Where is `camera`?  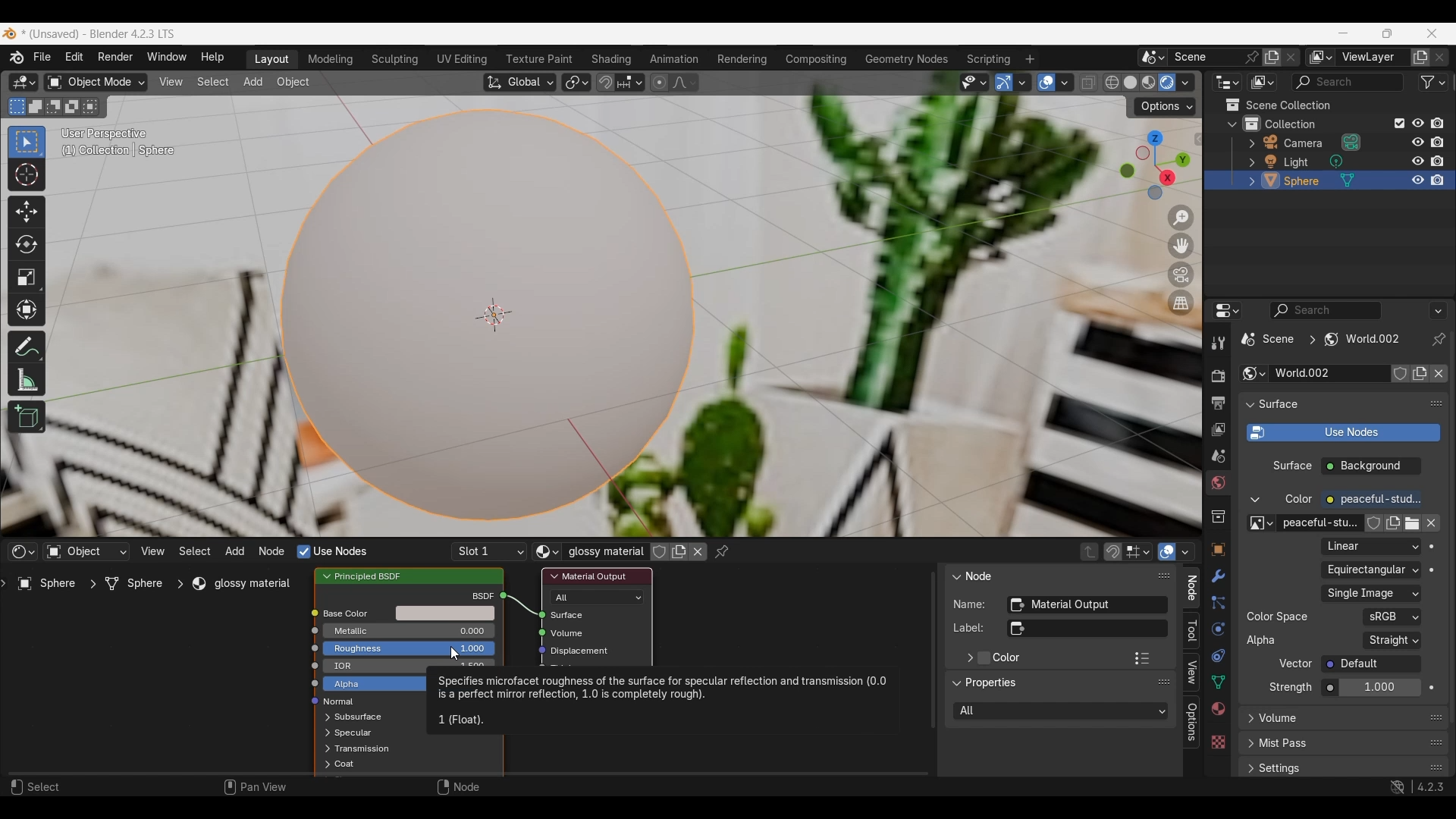 camera is located at coordinates (1305, 143).